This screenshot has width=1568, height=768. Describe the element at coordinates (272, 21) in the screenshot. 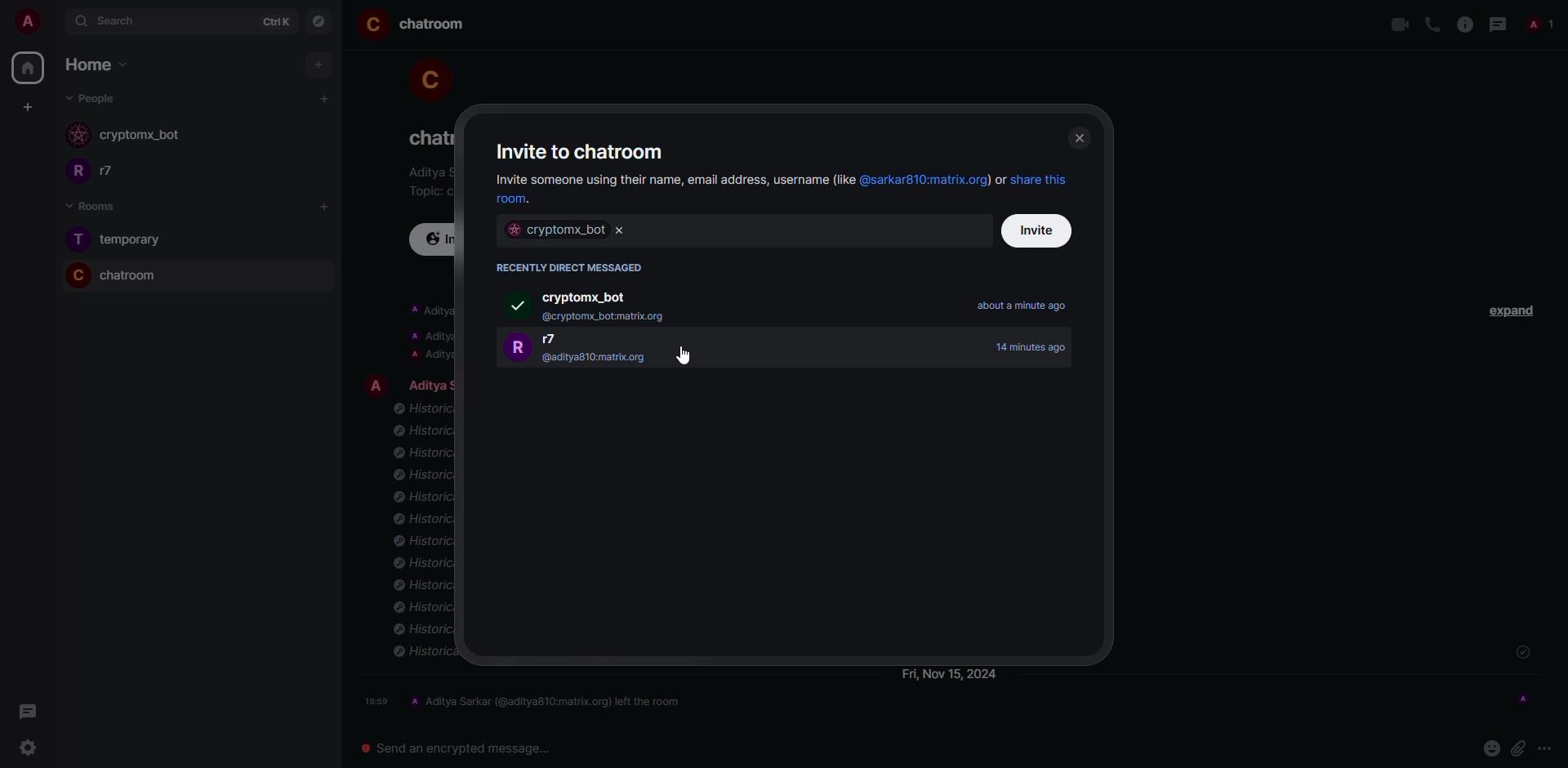

I see `ctrlK` at that location.